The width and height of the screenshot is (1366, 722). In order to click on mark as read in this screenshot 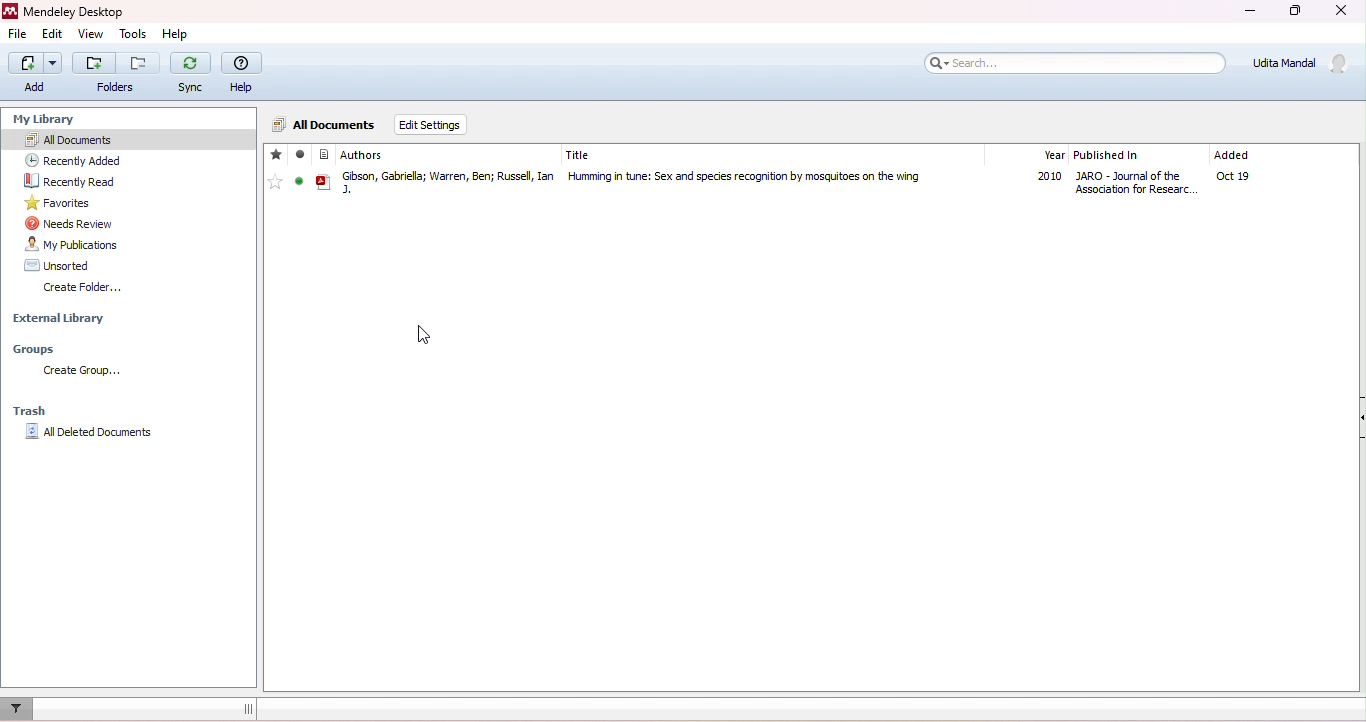, I will do `click(301, 184)`.